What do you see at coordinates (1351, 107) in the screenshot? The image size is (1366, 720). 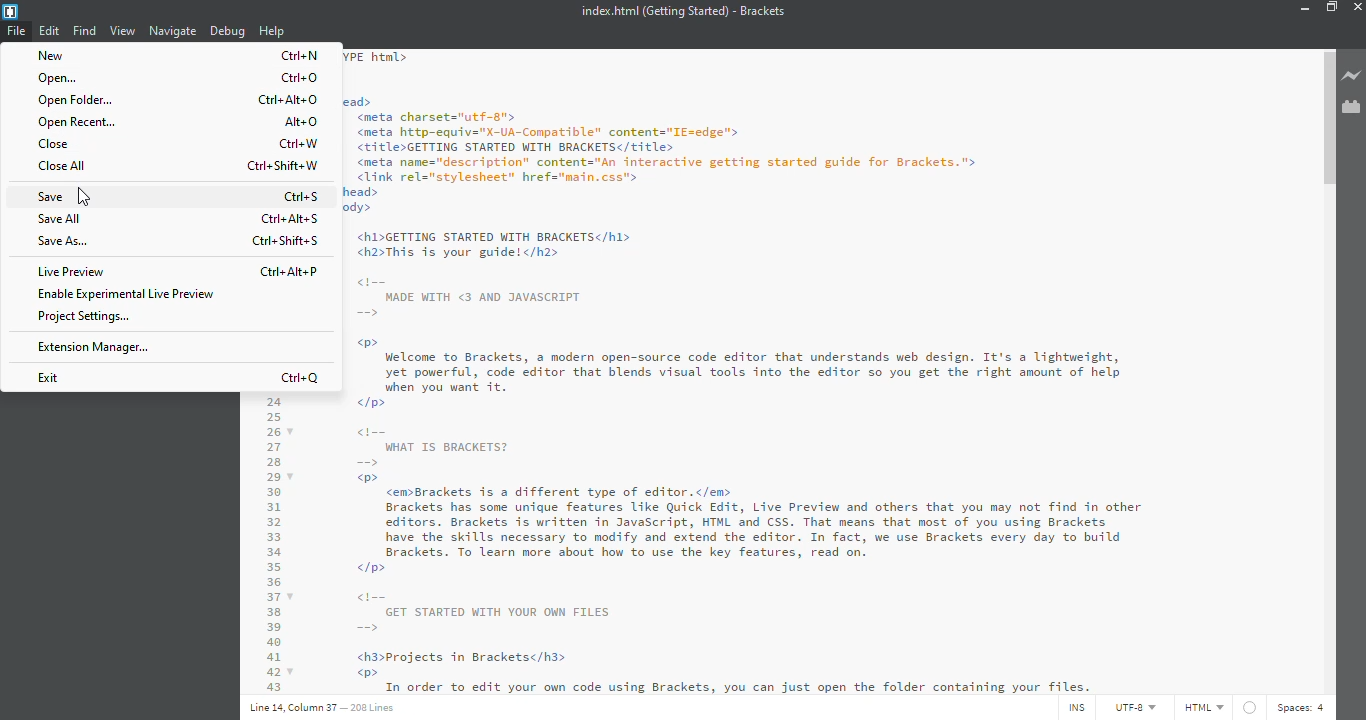 I see `extension manager` at bounding box center [1351, 107].